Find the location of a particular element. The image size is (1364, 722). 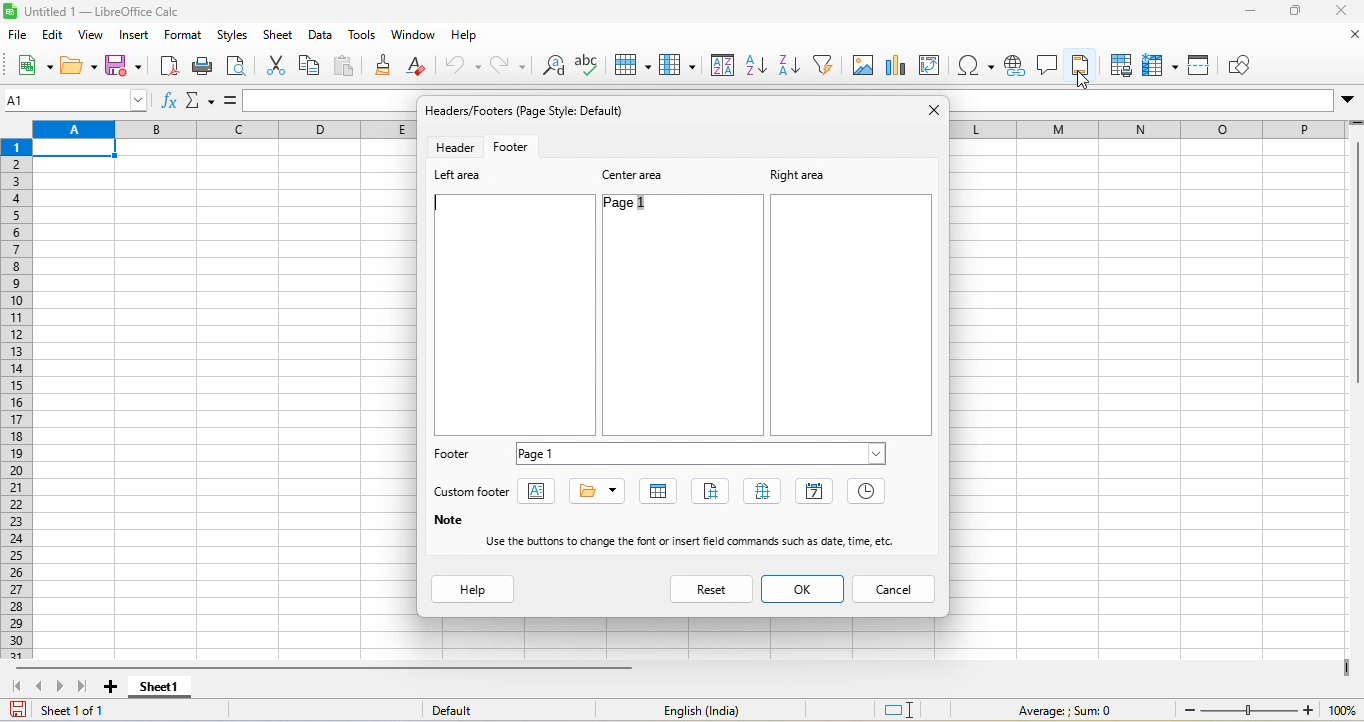

footer is located at coordinates (454, 456).